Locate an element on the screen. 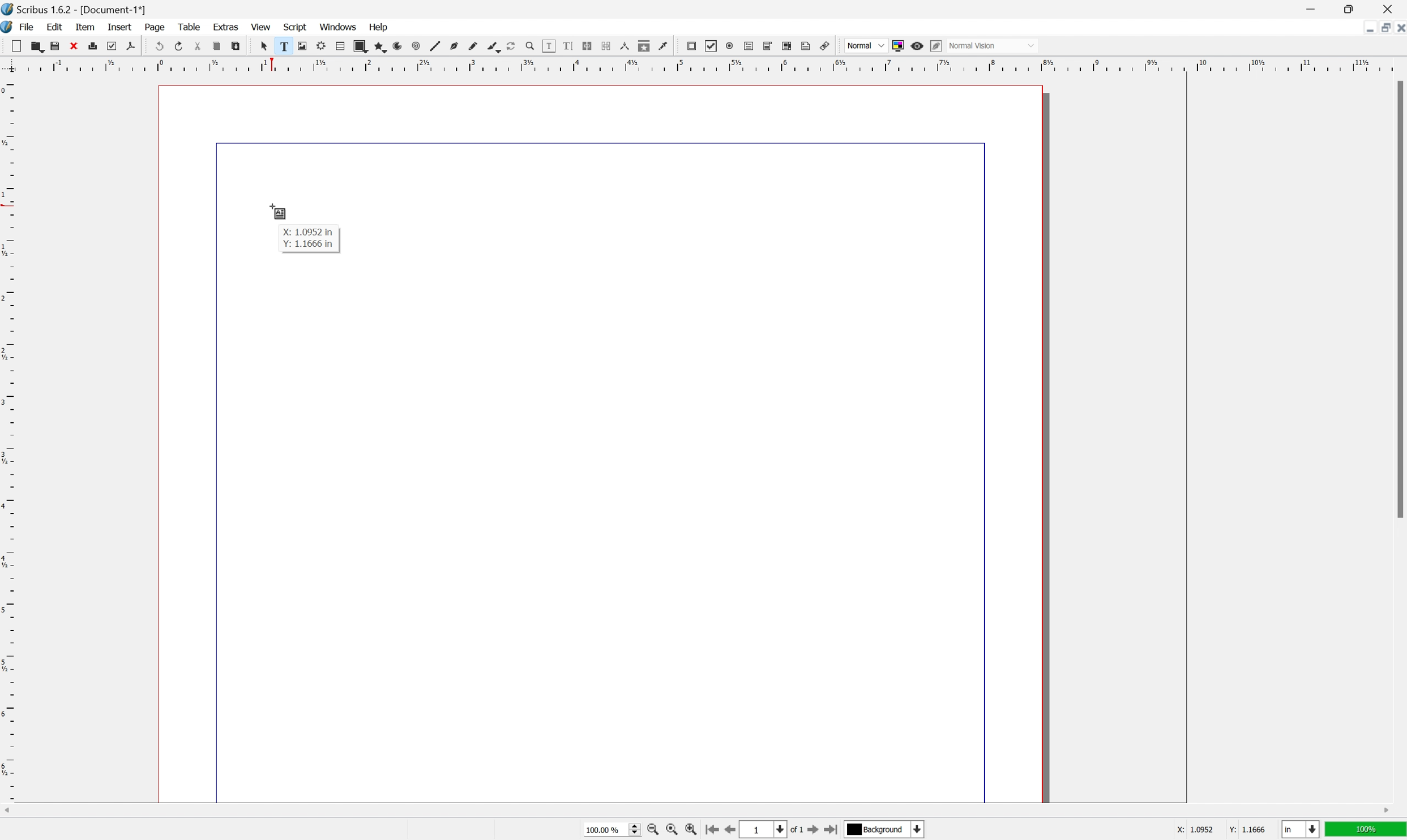 This screenshot has width=1407, height=840. coordinates is located at coordinates (1208, 830).